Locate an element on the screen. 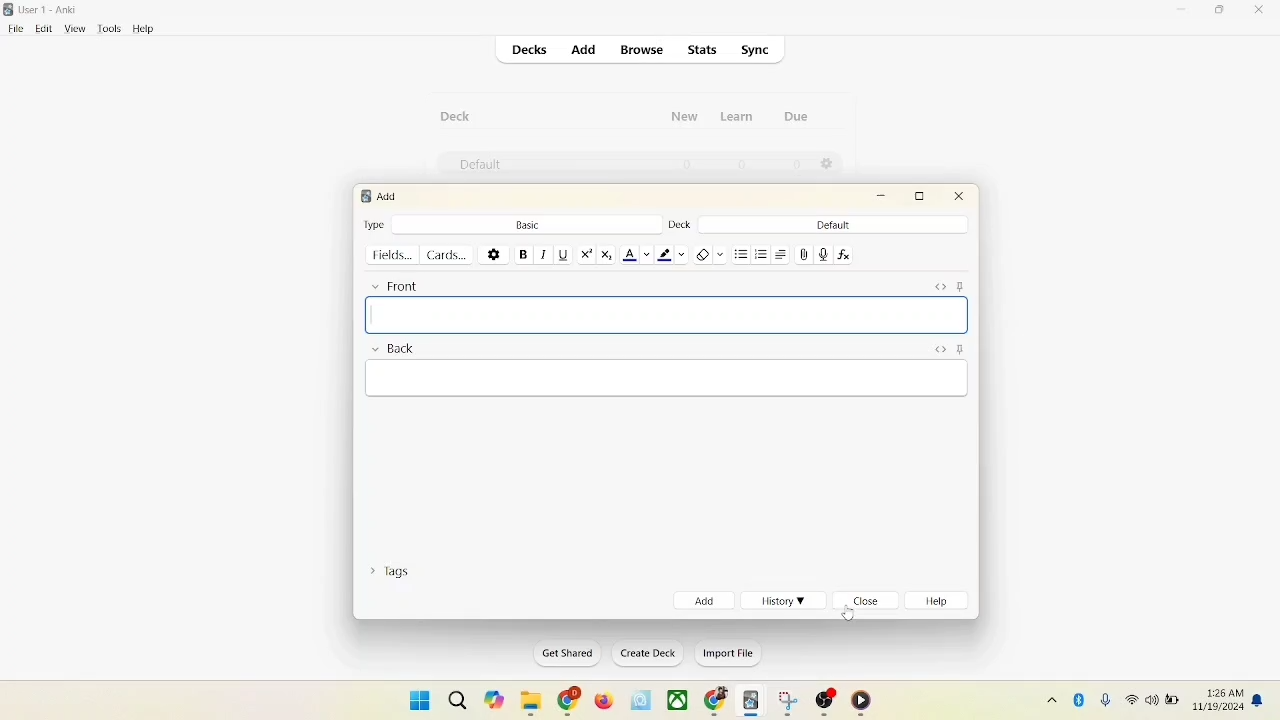  logo is located at coordinates (364, 196).